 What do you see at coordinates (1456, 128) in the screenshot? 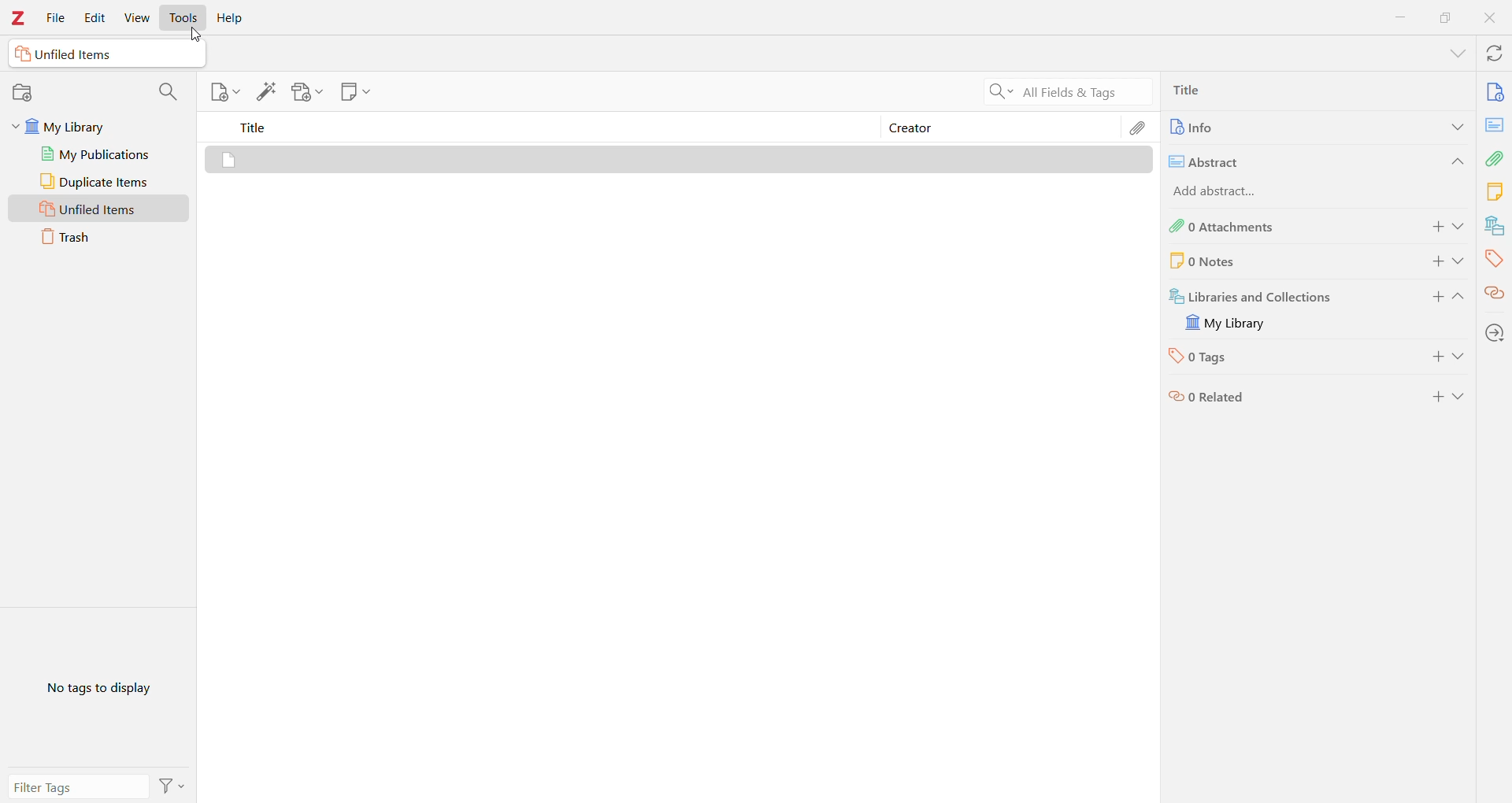
I see `Expand Section` at bounding box center [1456, 128].